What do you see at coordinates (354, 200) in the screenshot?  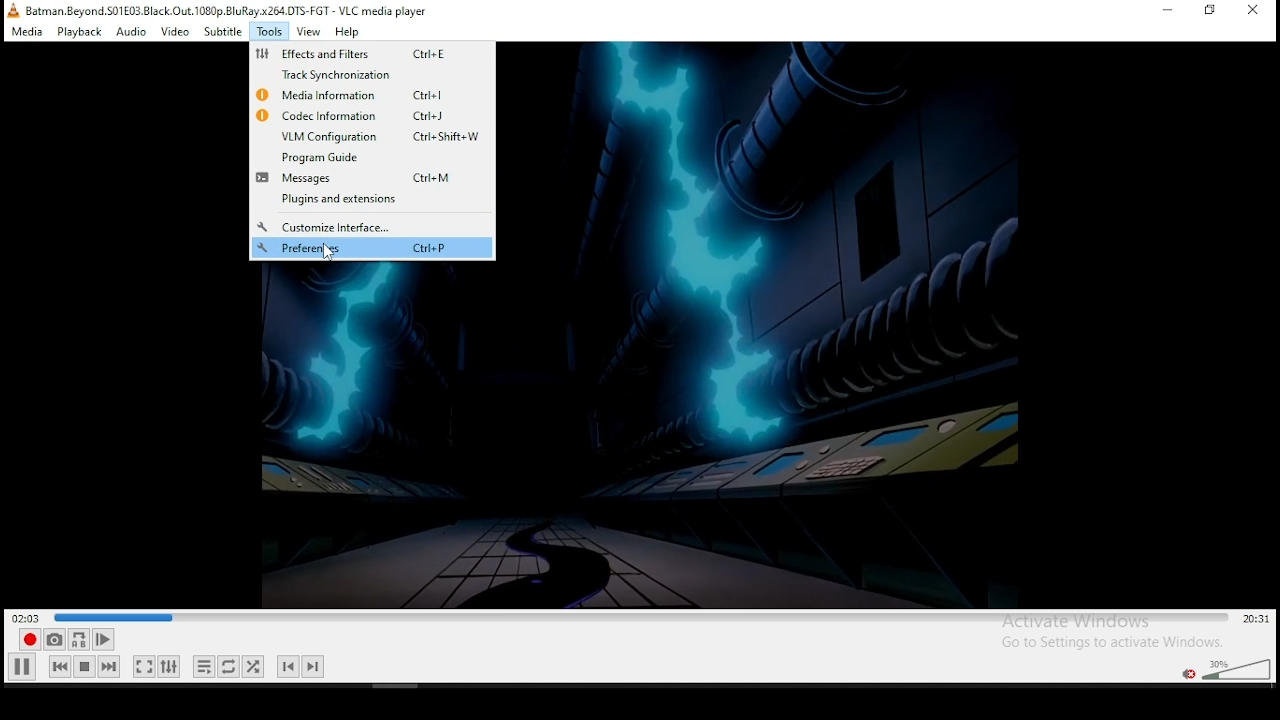 I see `plugins and extensions` at bounding box center [354, 200].